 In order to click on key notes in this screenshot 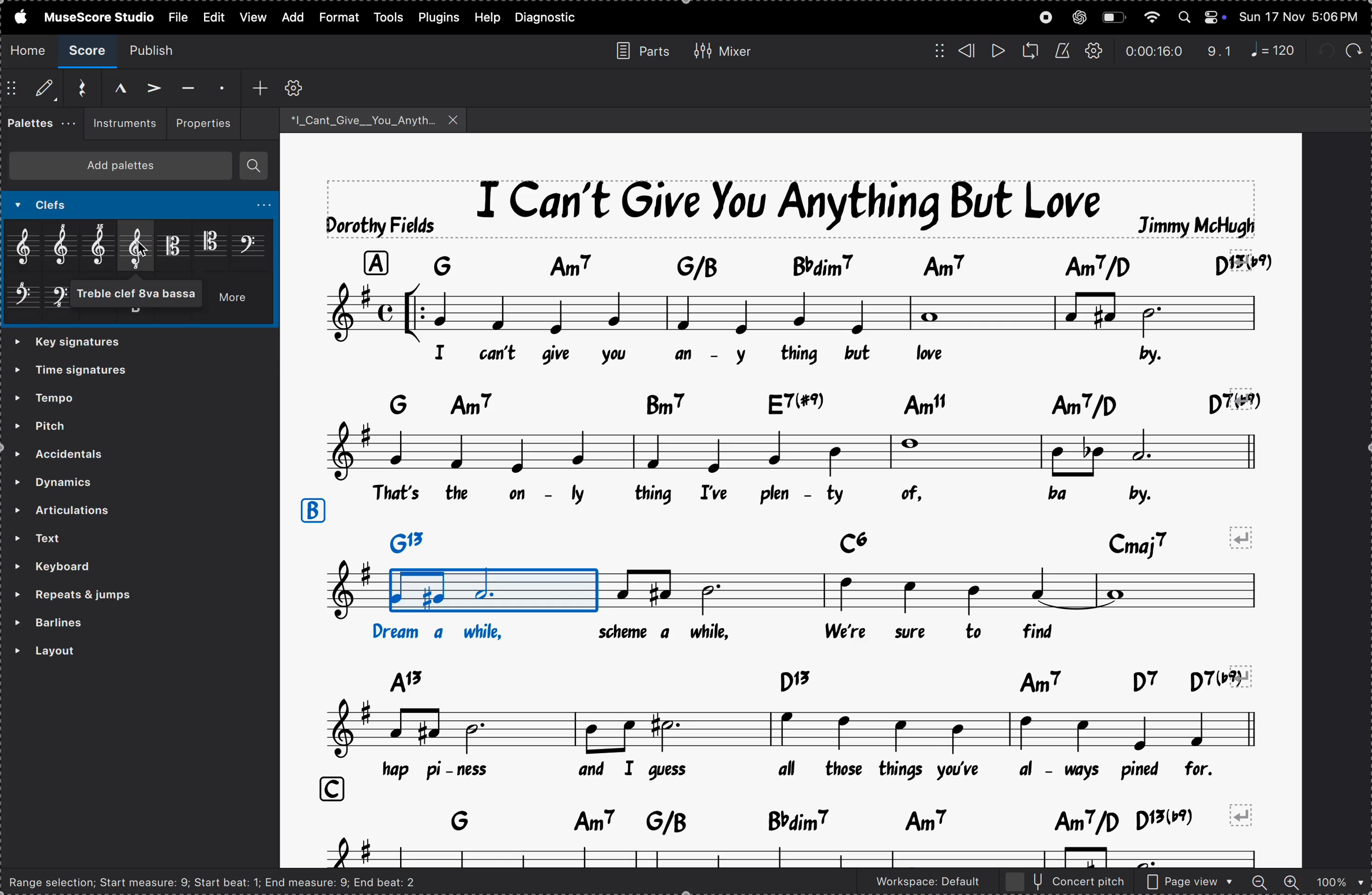, I will do `click(806, 401)`.